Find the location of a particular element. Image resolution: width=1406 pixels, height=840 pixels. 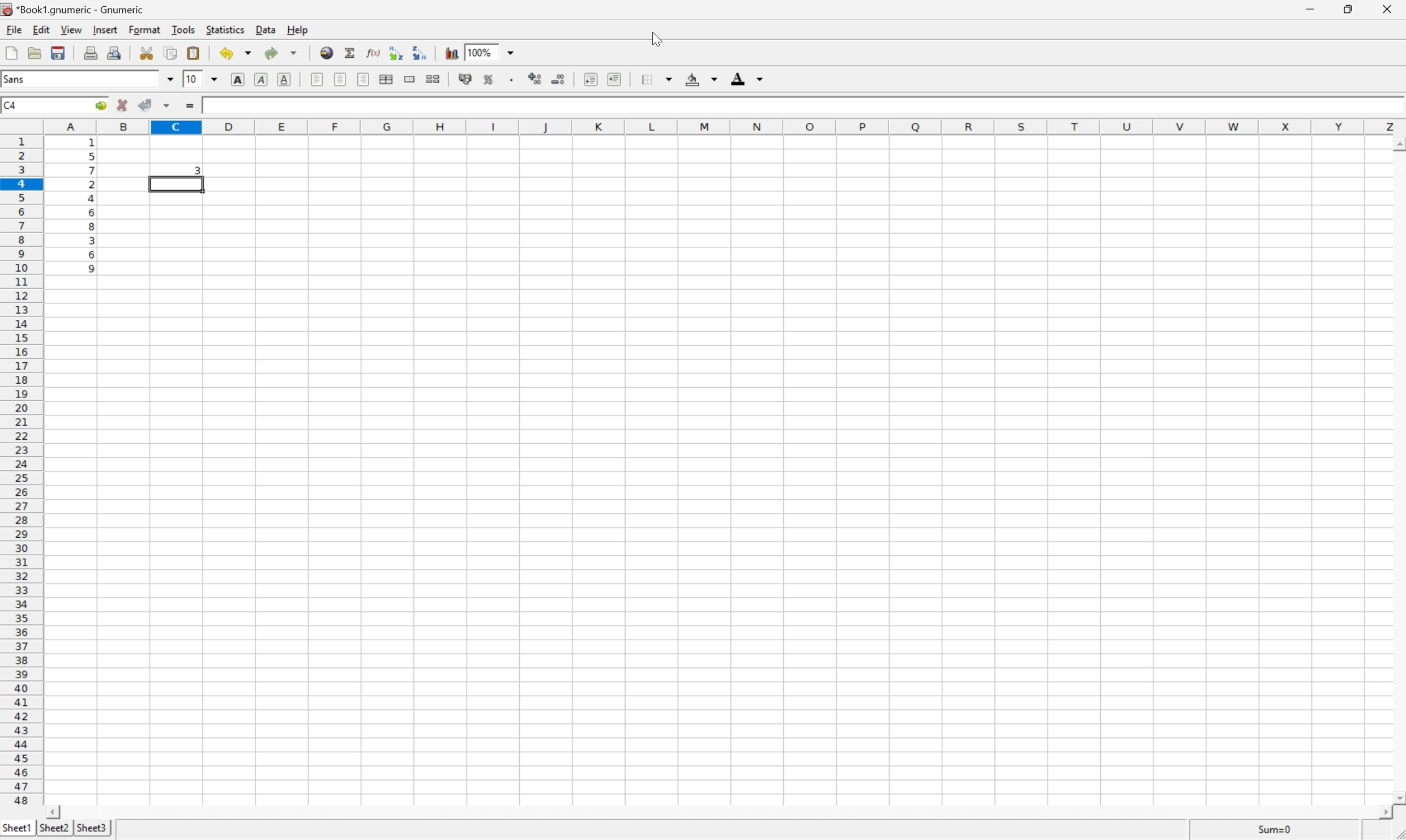

sheet3 is located at coordinates (92, 826).